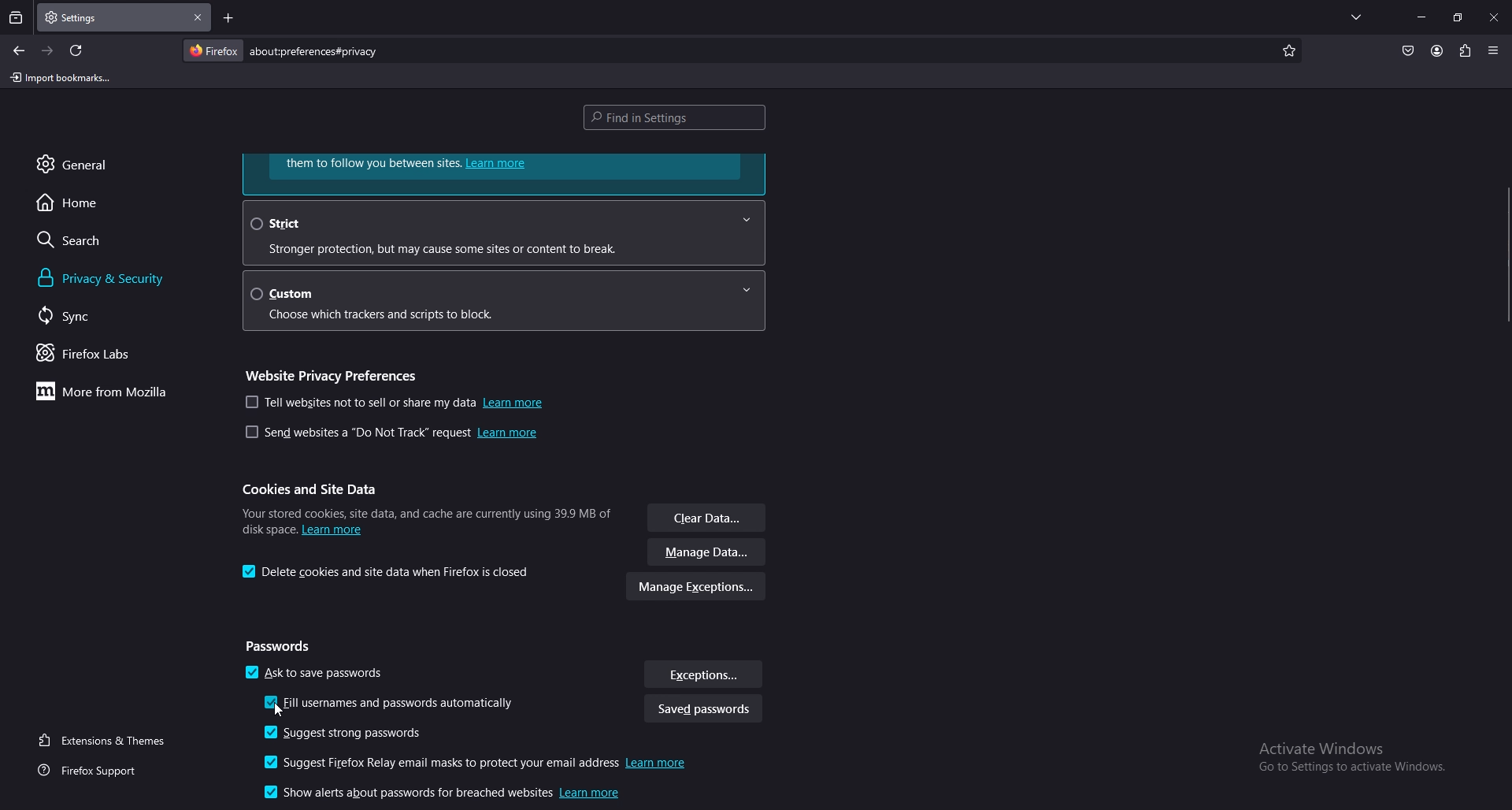 The height and width of the screenshot is (810, 1512). I want to click on suggest firefox relay email masks, so click(480, 764).